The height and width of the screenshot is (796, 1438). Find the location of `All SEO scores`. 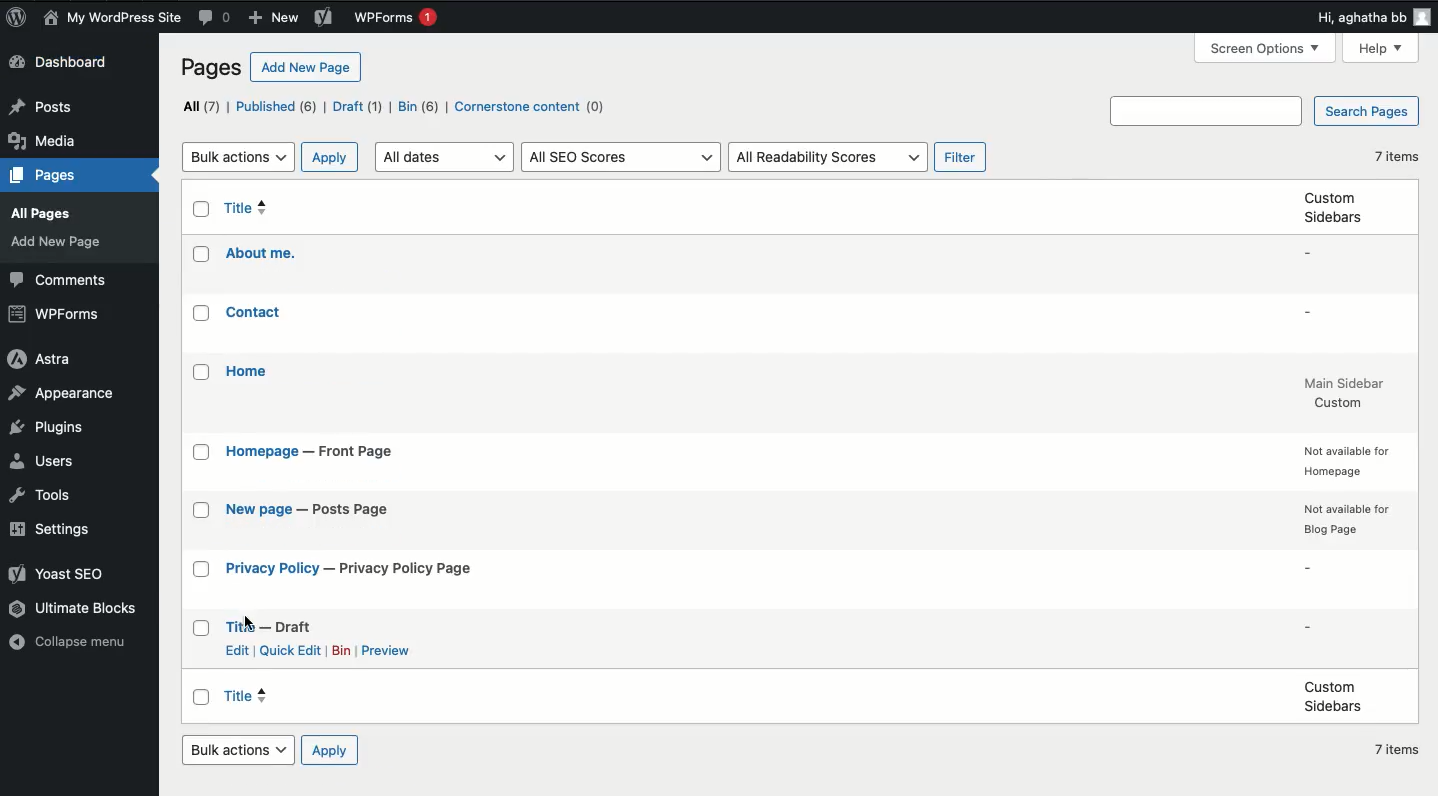

All SEO scores is located at coordinates (619, 156).